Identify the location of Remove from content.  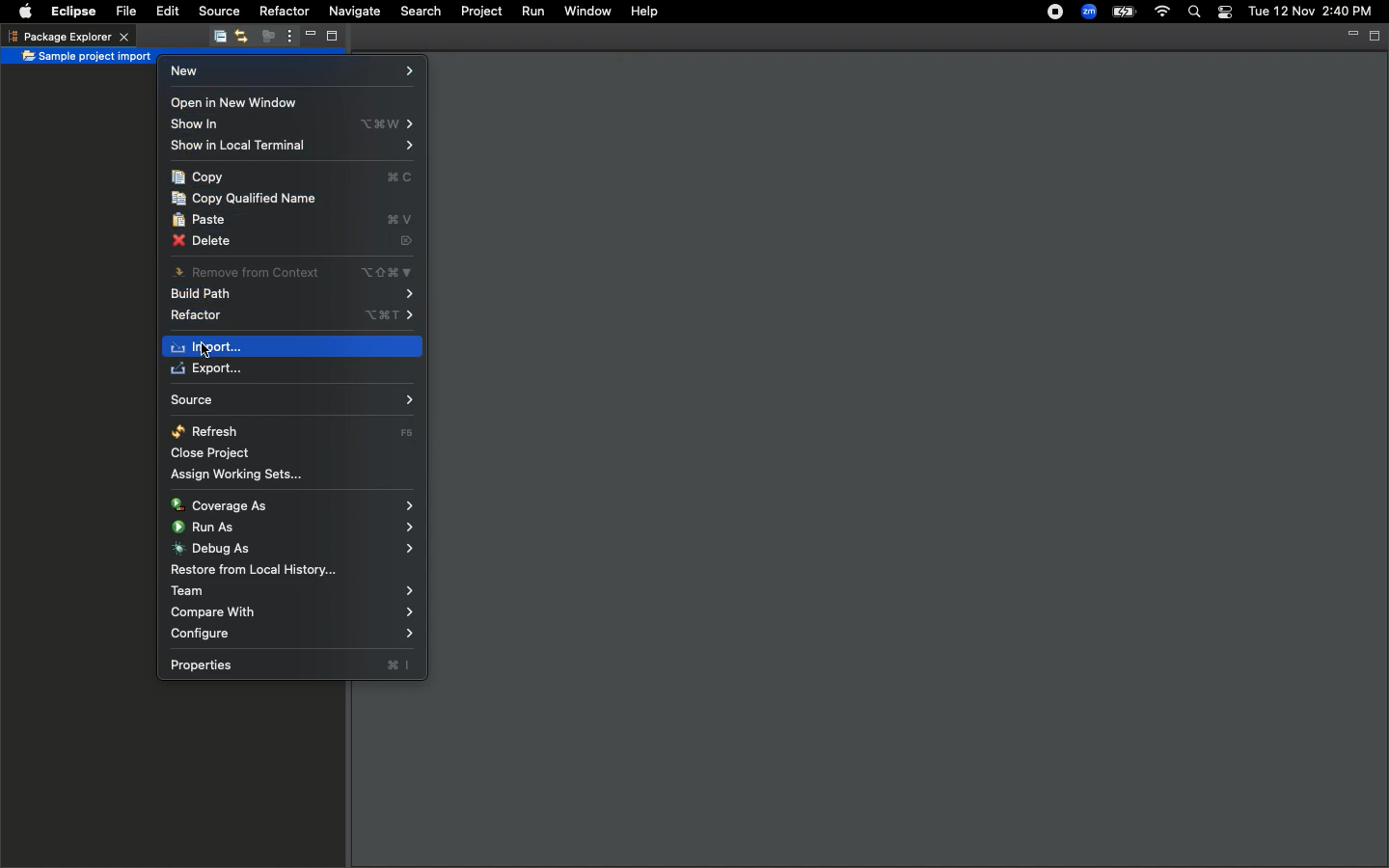
(293, 274).